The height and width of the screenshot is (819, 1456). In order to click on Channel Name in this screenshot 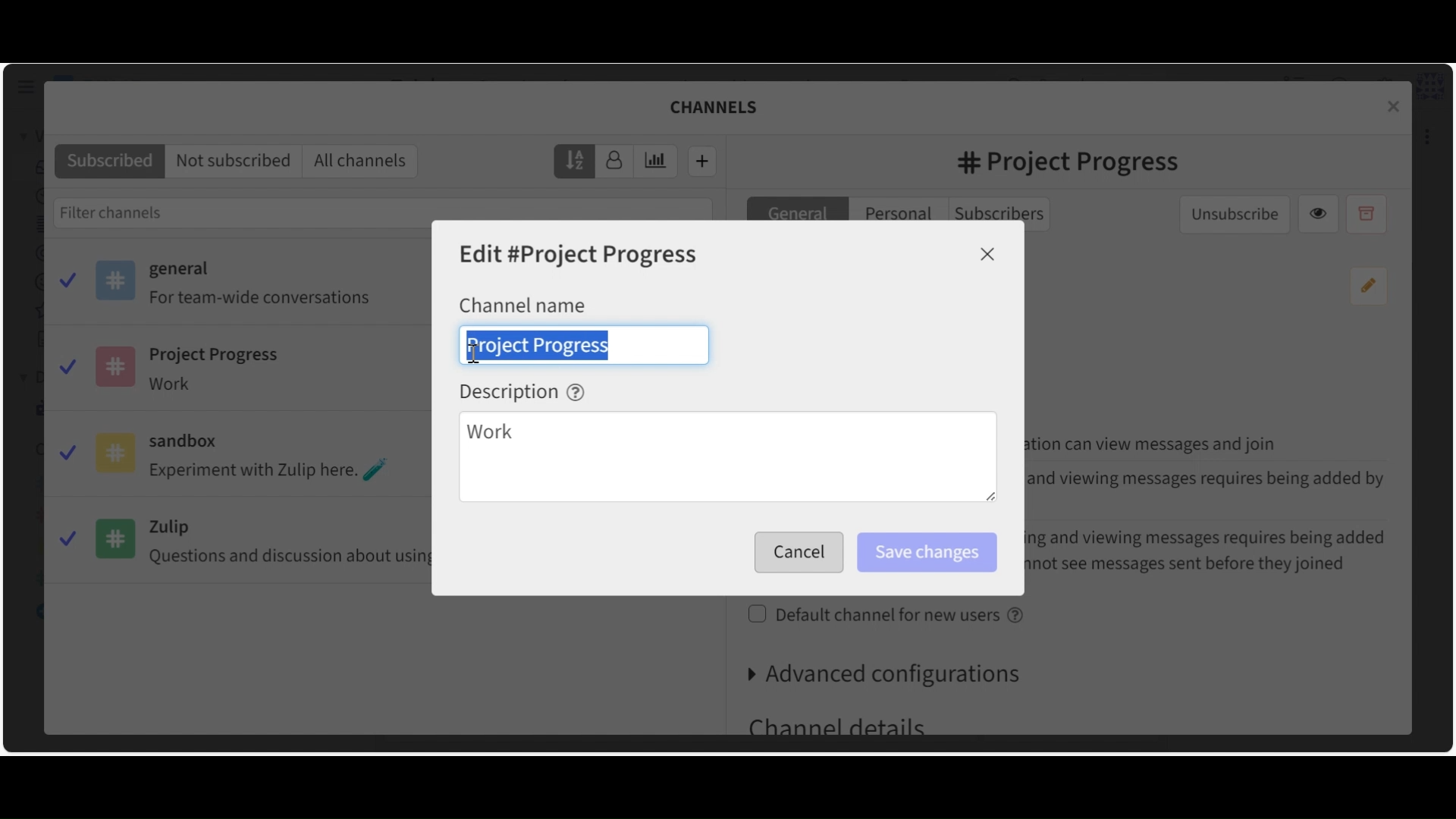, I will do `click(522, 304)`.